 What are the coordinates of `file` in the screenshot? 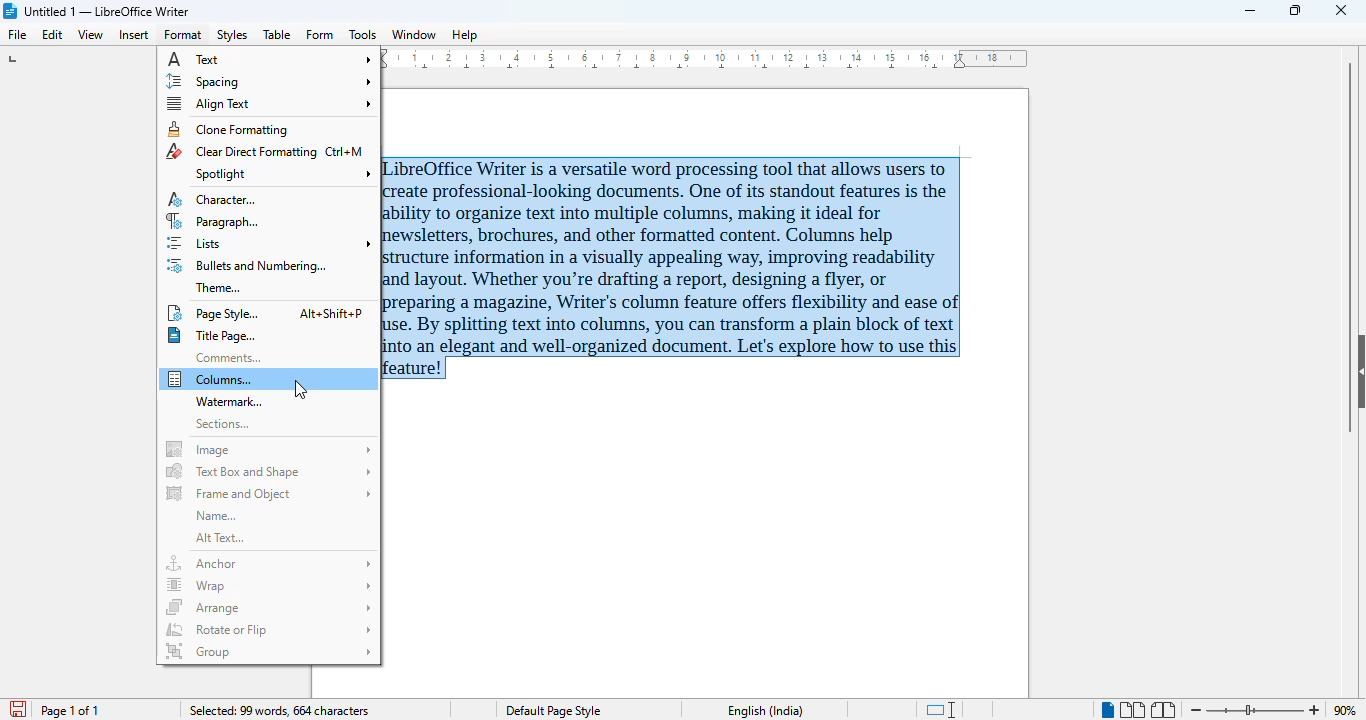 It's located at (19, 35).